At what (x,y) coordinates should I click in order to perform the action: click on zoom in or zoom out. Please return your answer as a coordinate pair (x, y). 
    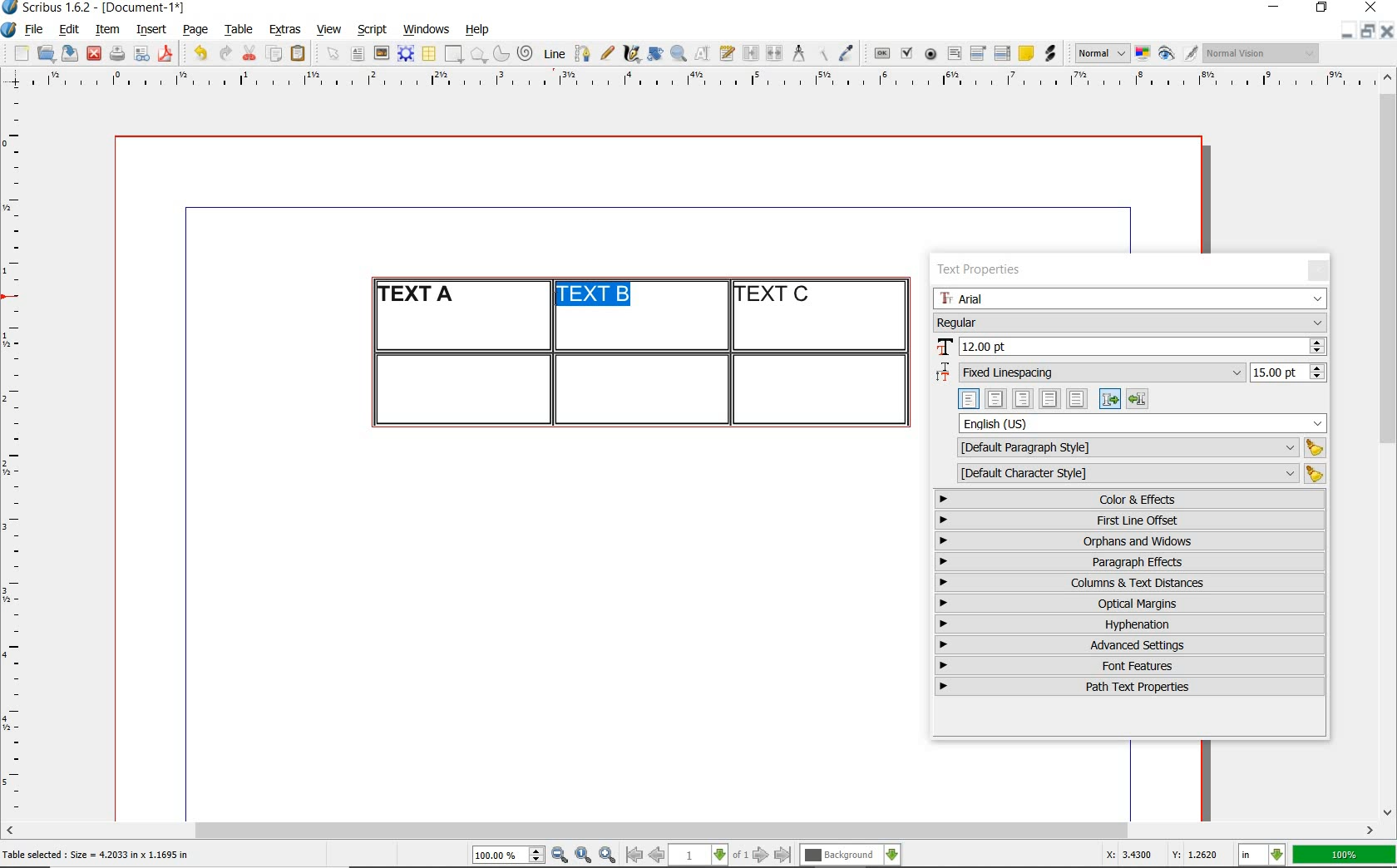
    Looking at the image, I should click on (679, 53).